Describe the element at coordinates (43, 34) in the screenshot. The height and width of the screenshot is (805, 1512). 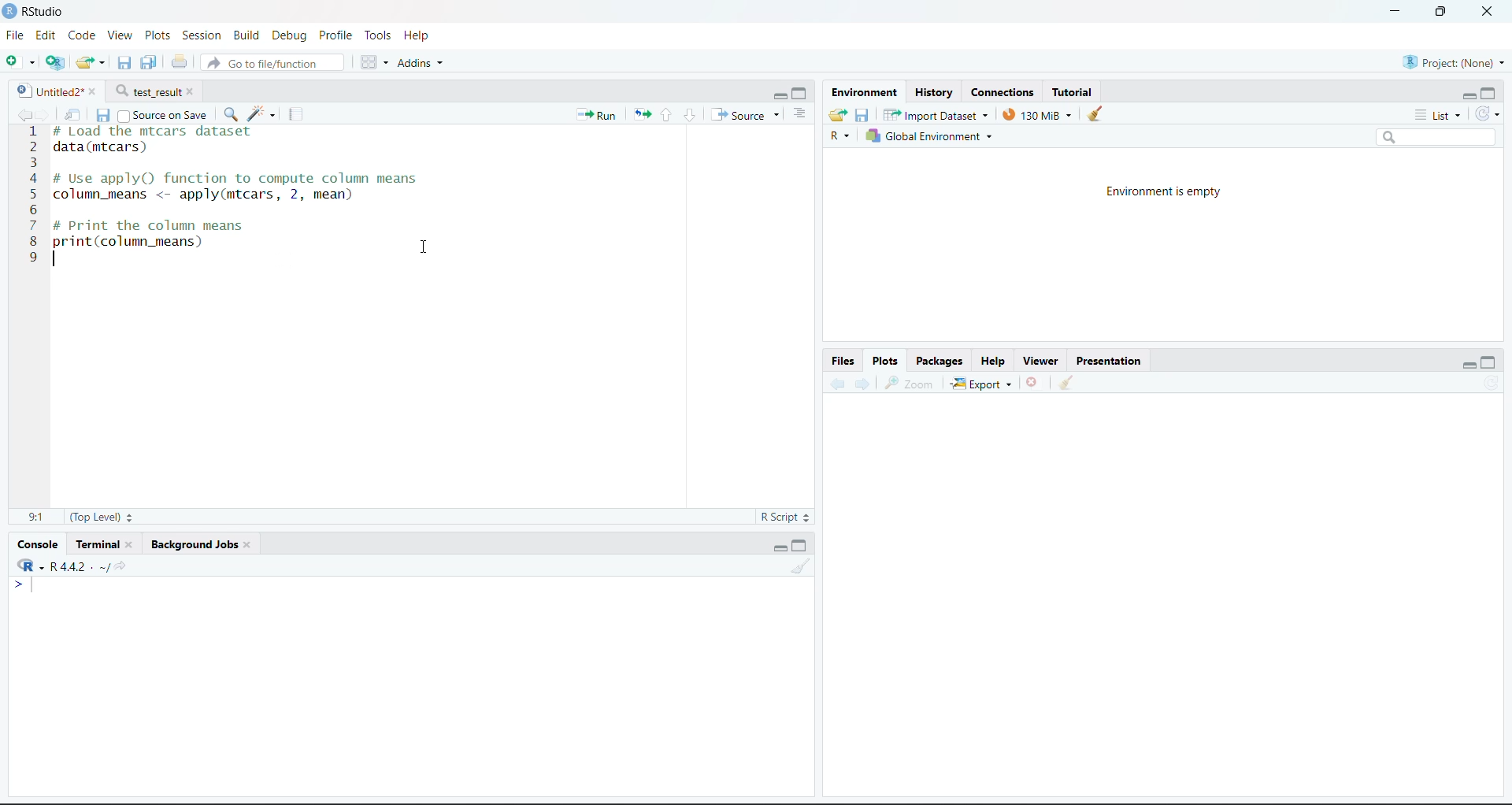
I see `Edit` at that location.